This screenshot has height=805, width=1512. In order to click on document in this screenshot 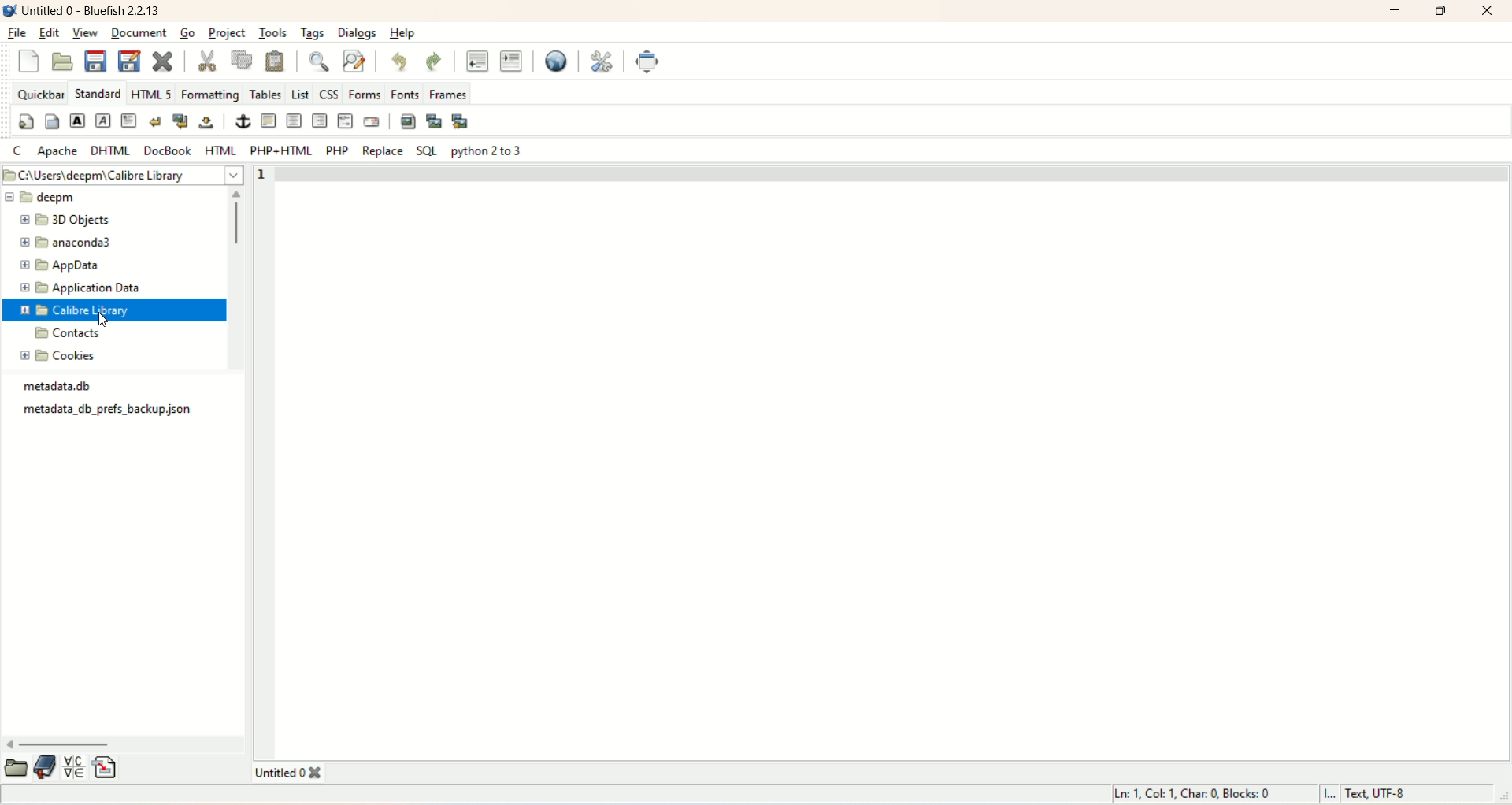, I will do `click(137, 34)`.